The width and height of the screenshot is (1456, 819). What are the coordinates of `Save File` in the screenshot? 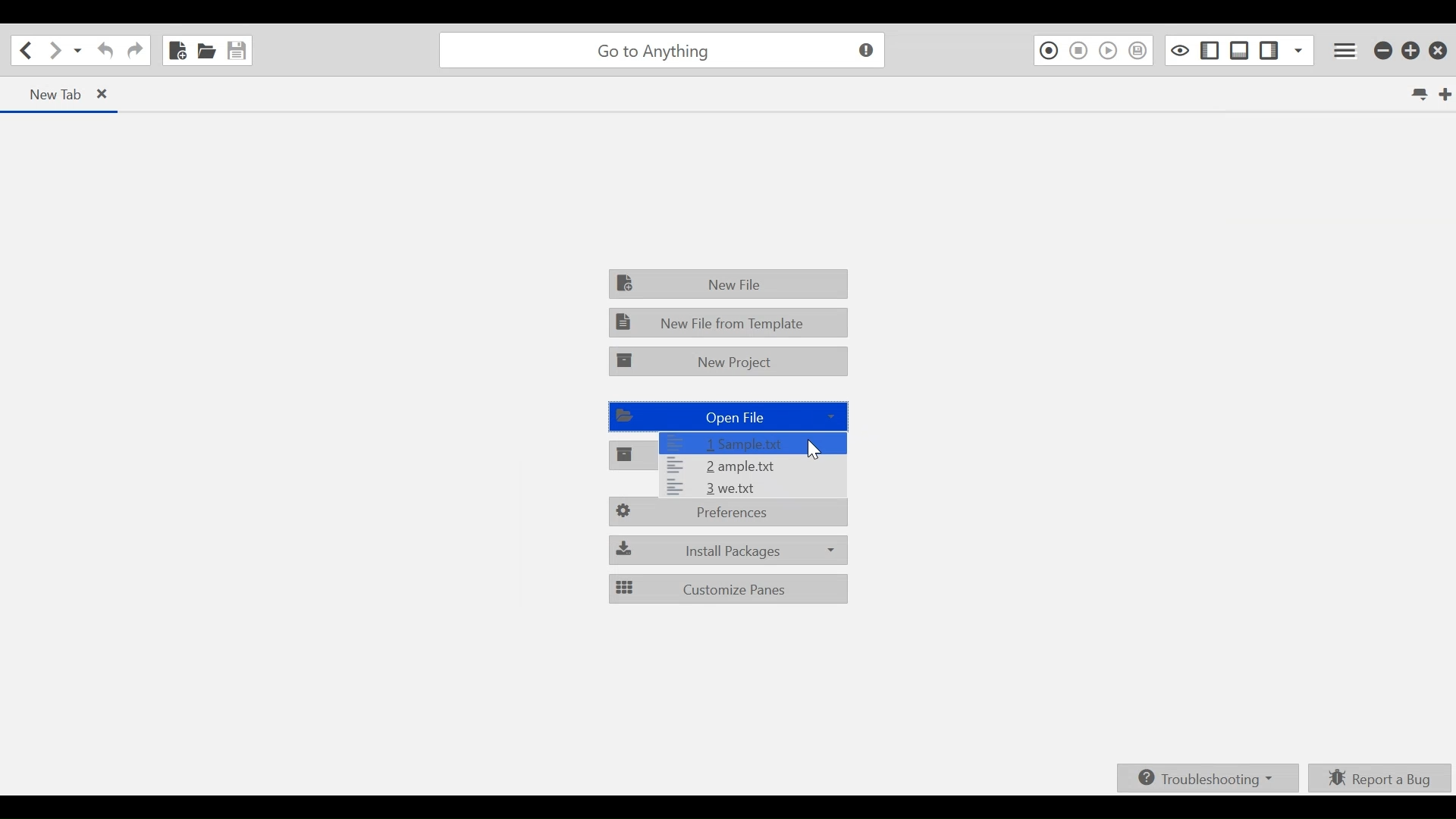 It's located at (239, 49).